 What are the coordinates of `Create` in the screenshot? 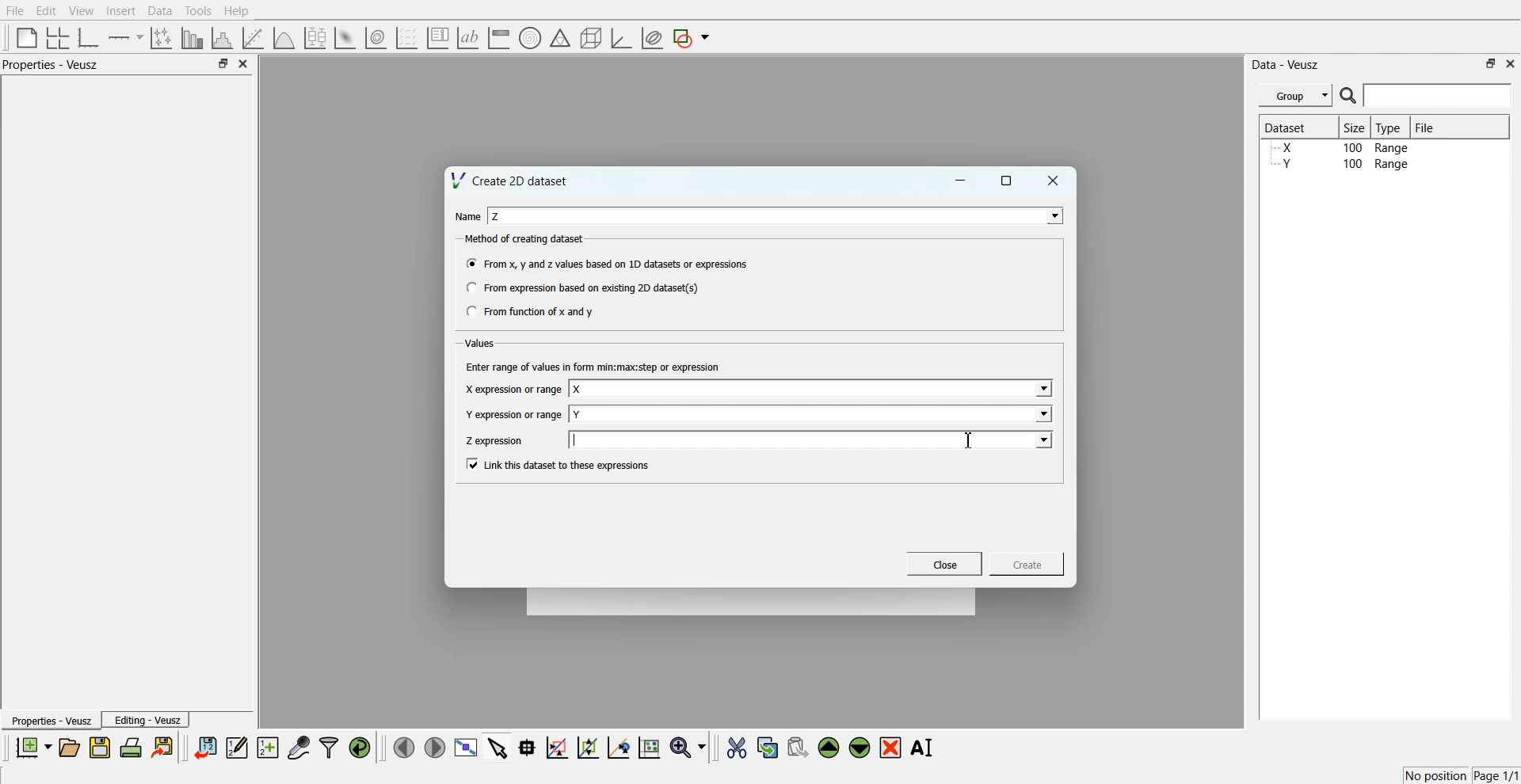 It's located at (1027, 563).